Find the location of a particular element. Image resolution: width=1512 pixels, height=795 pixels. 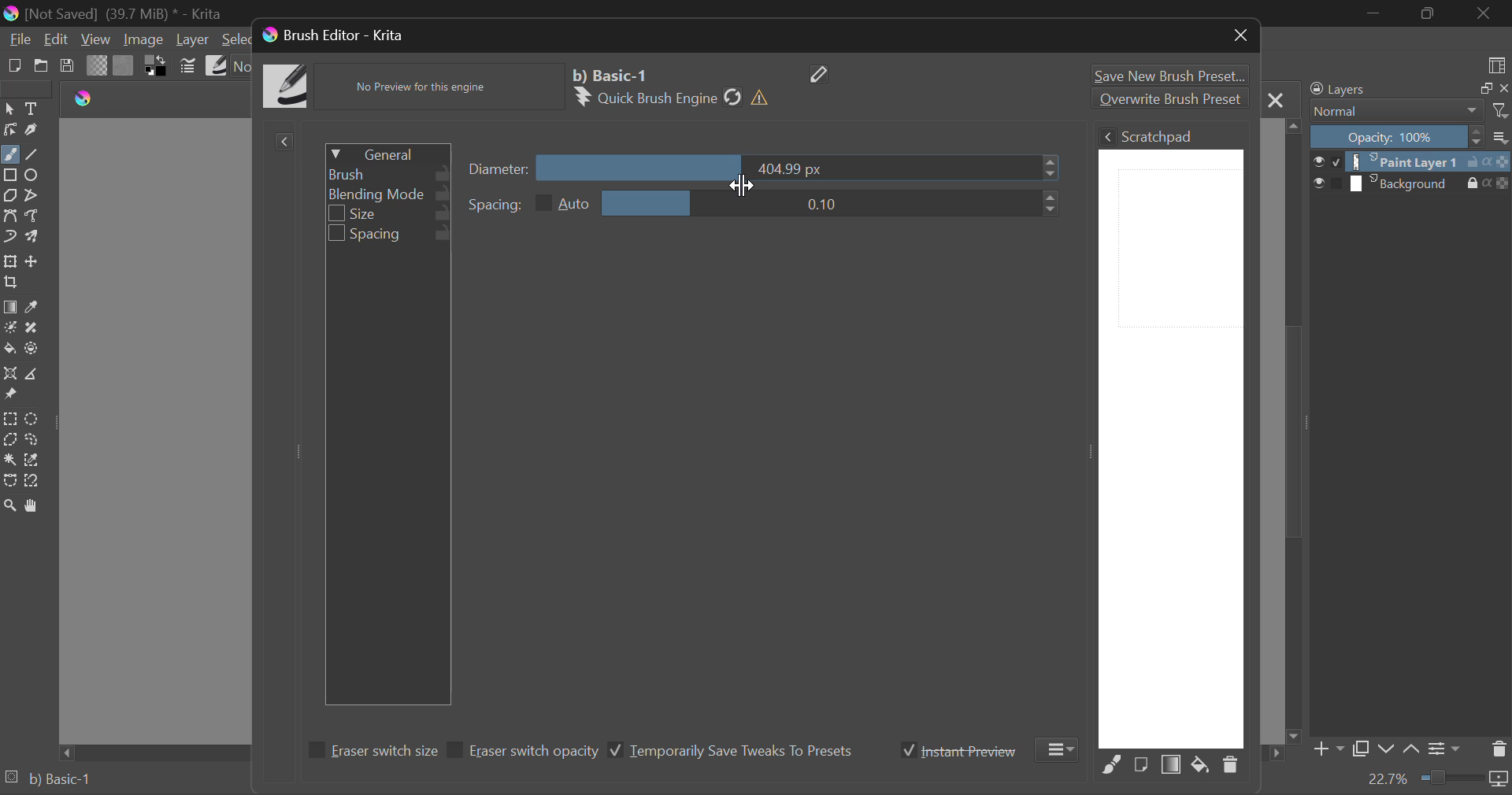

Cursor on Brush Settings is located at coordinates (188, 66).